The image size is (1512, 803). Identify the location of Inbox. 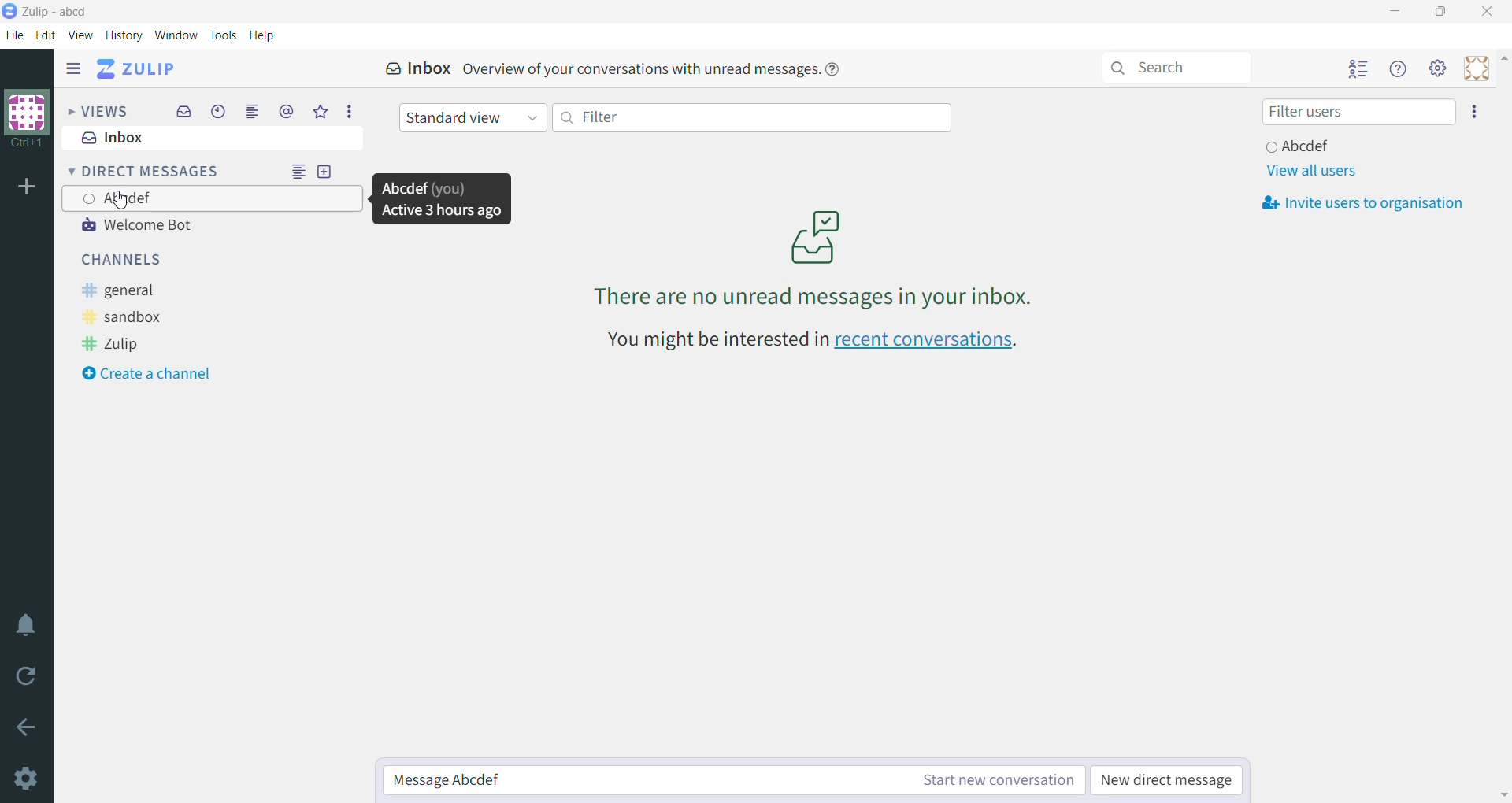
(211, 139).